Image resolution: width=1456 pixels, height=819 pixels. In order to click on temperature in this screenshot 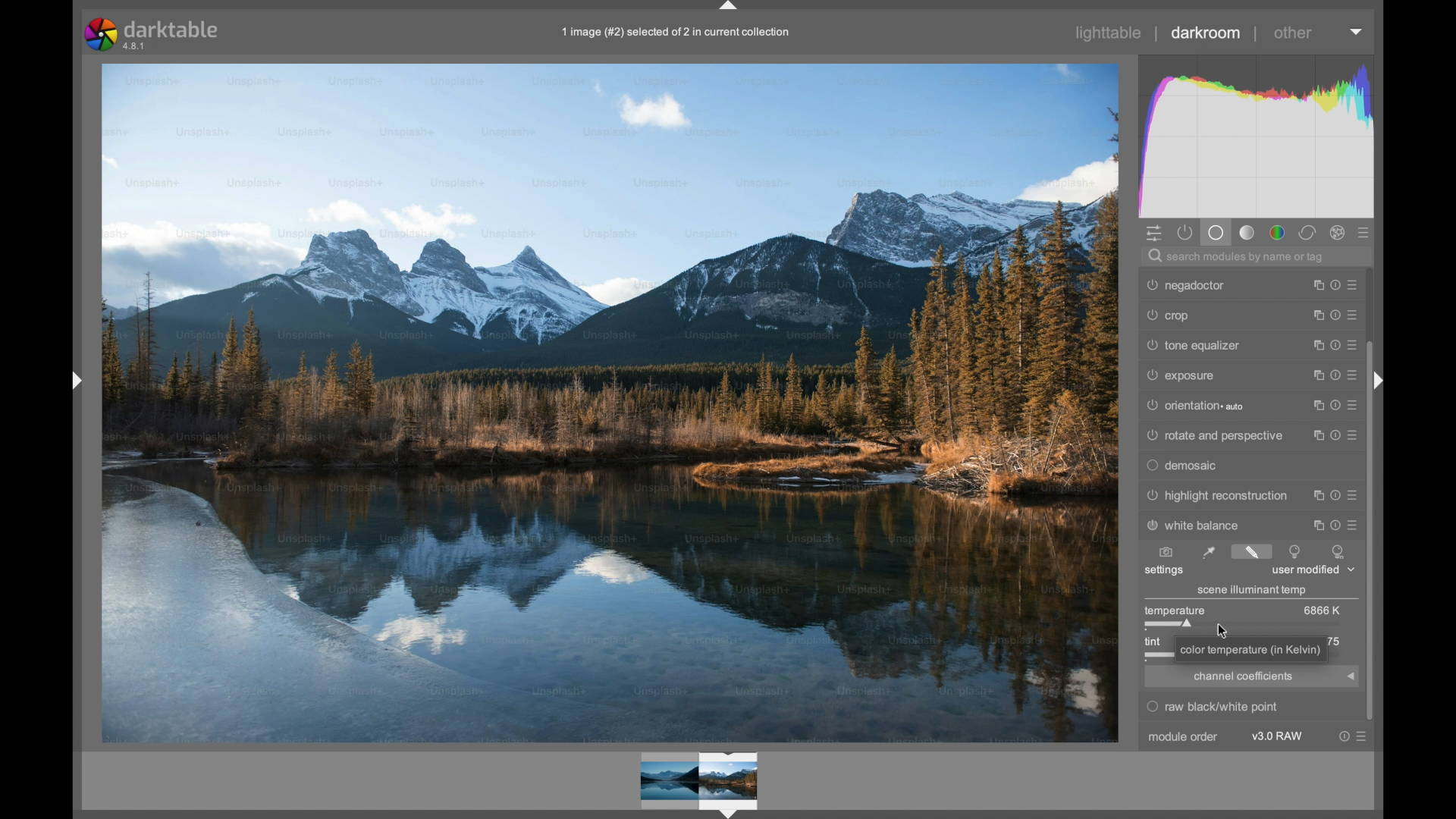, I will do `click(1175, 610)`.